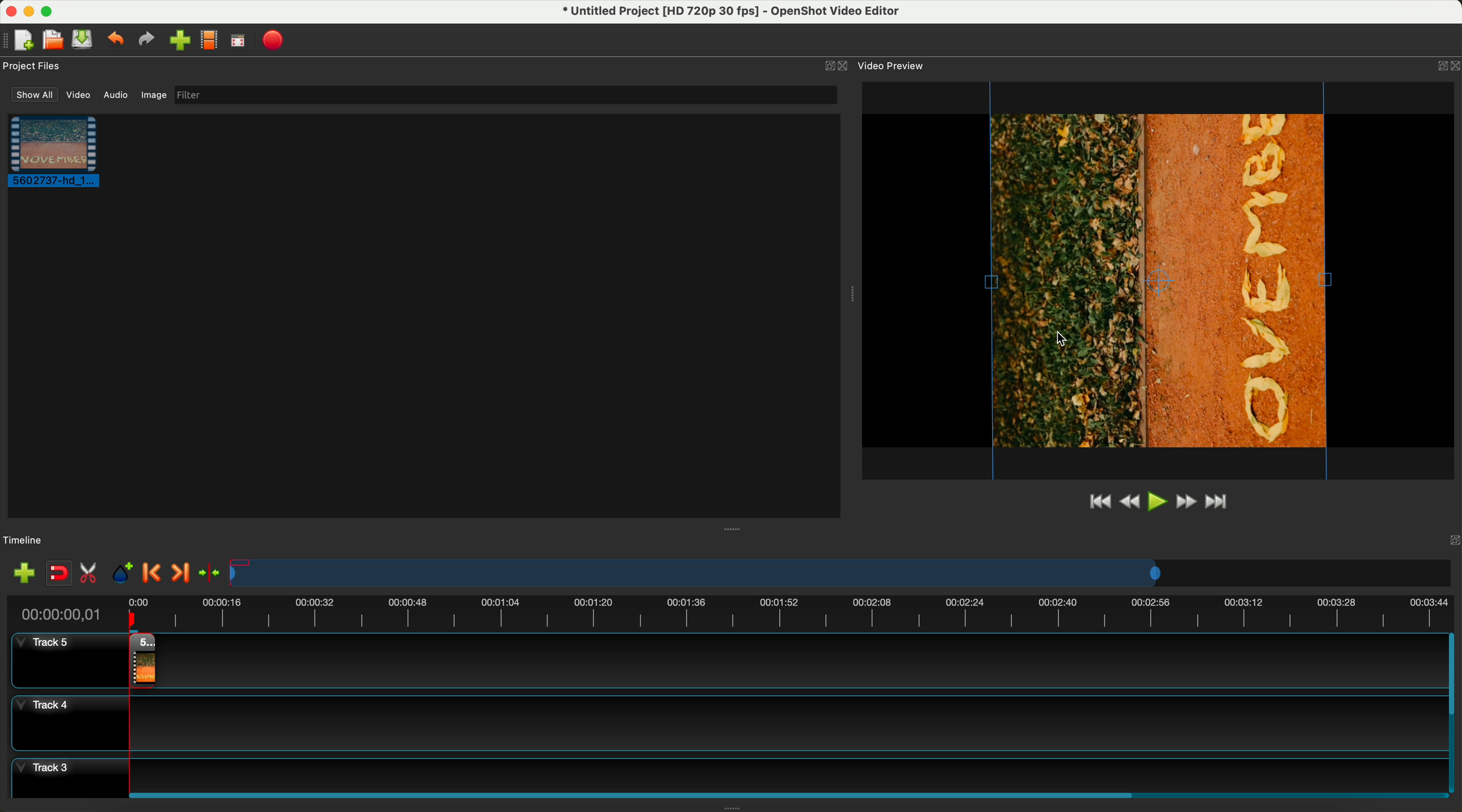 This screenshot has height=812, width=1462. What do you see at coordinates (734, 613) in the screenshot?
I see `timeline` at bounding box center [734, 613].